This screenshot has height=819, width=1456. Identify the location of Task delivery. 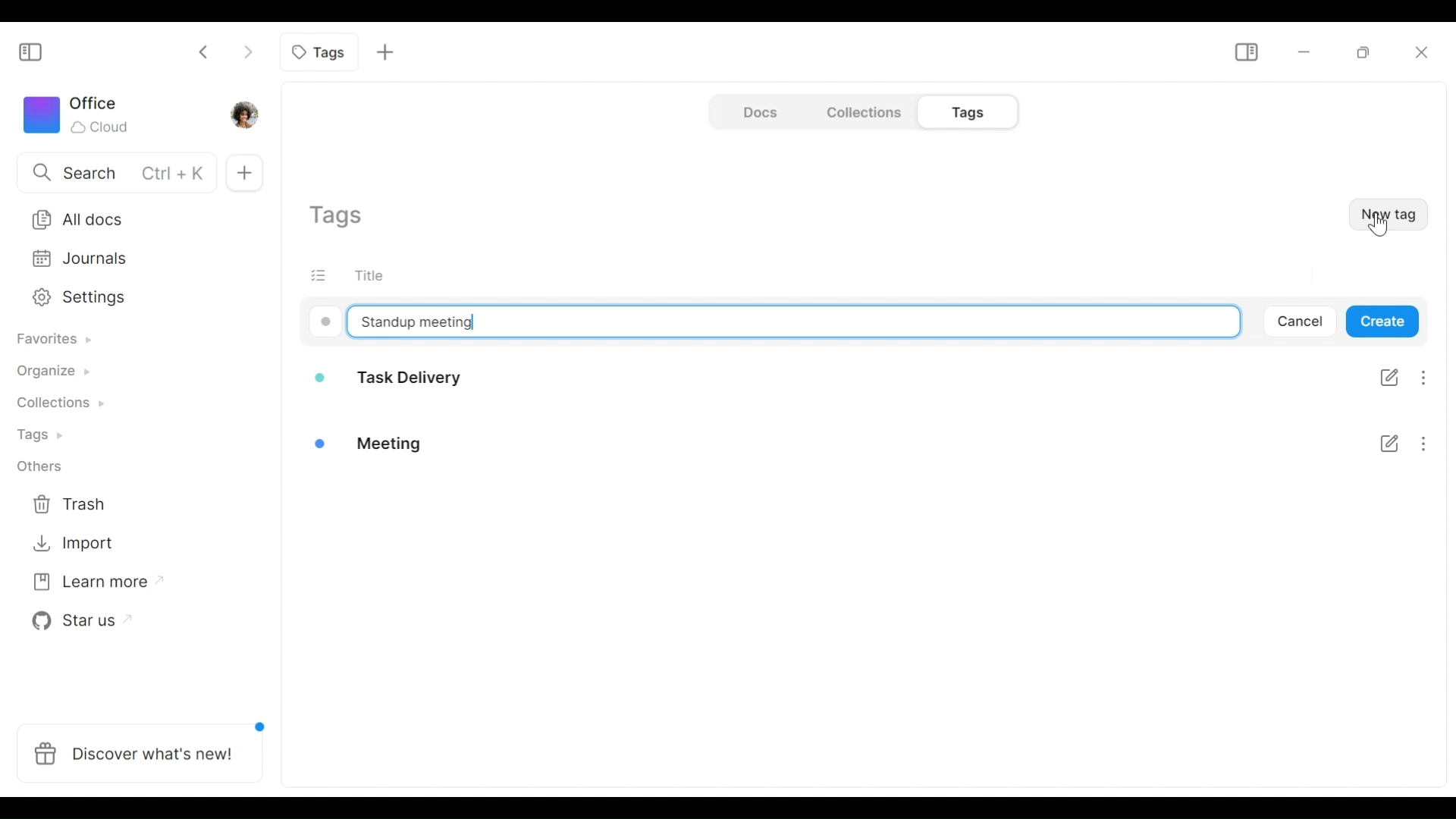
(394, 378).